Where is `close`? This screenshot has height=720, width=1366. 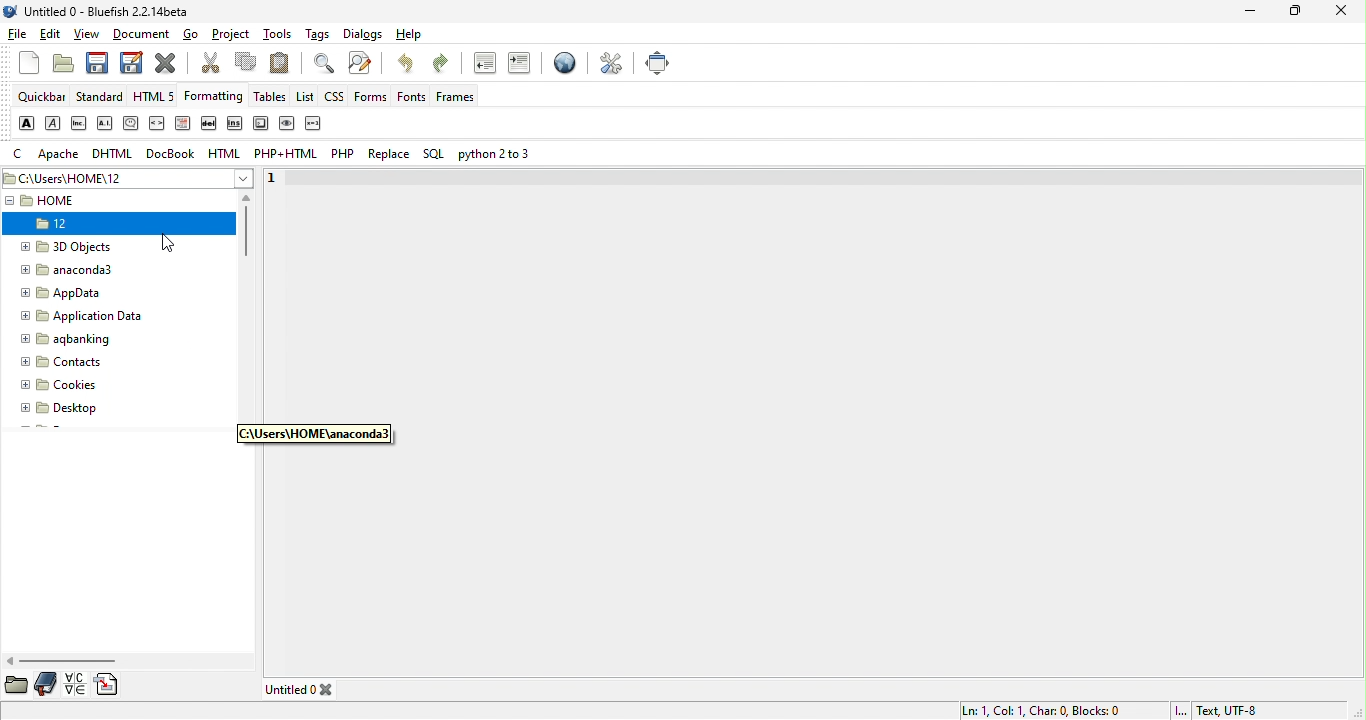
close is located at coordinates (1346, 12).